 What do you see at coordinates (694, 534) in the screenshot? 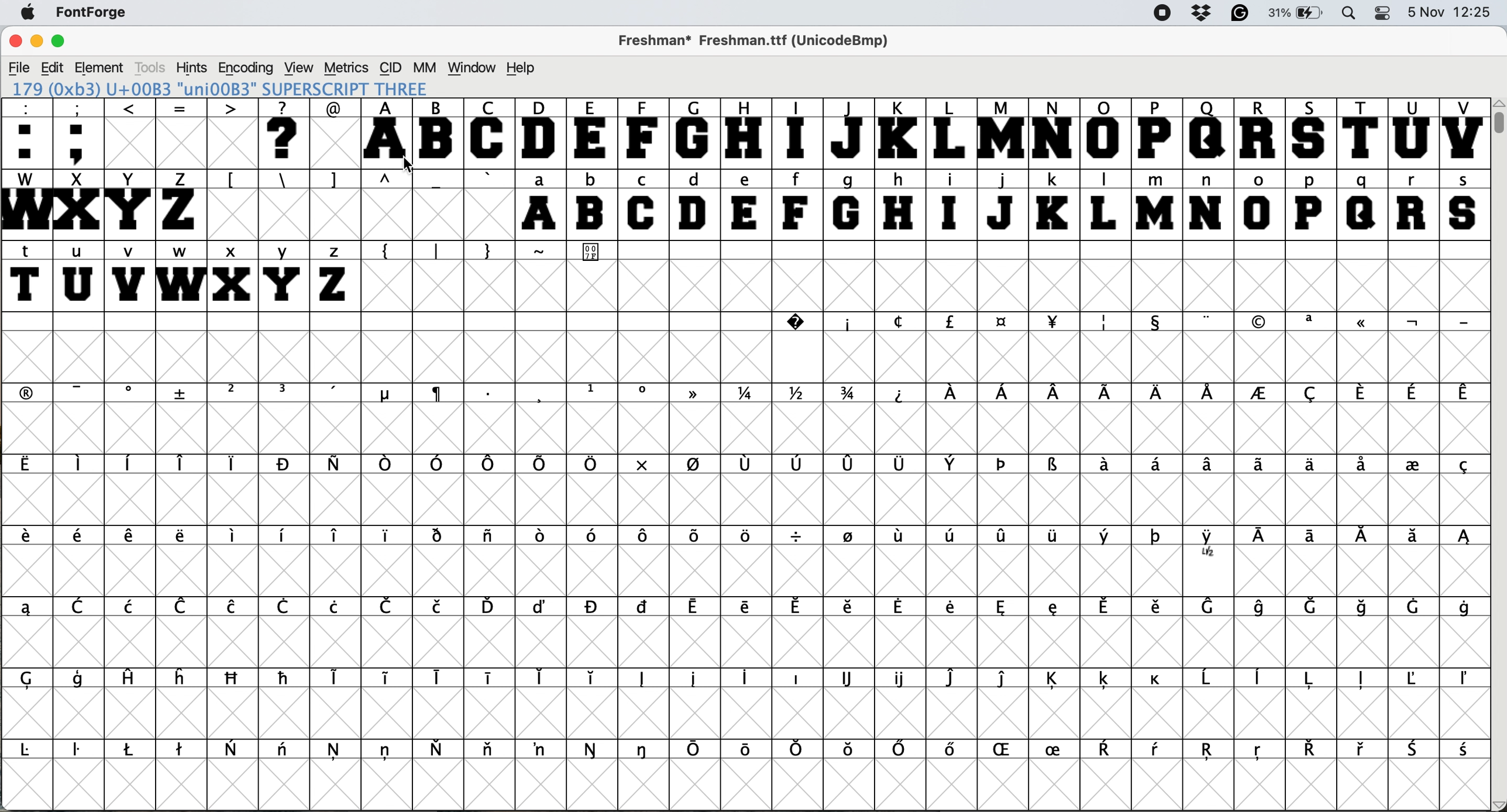
I see `symbol` at bounding box center [694, 534].